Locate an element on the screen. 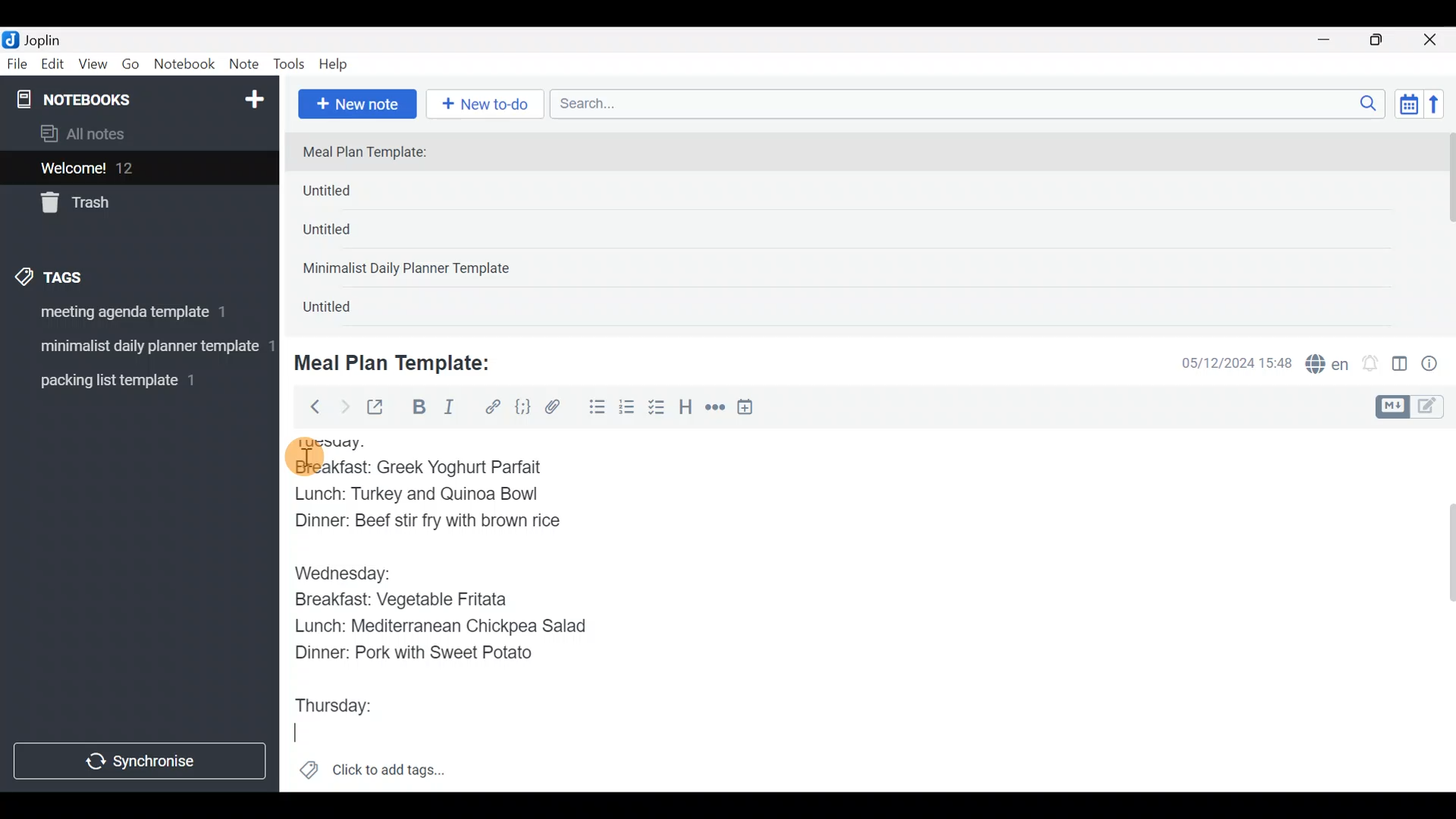 This screenshot has width=1456, height=819. Set alarm is located at coordinates (1371, 365).